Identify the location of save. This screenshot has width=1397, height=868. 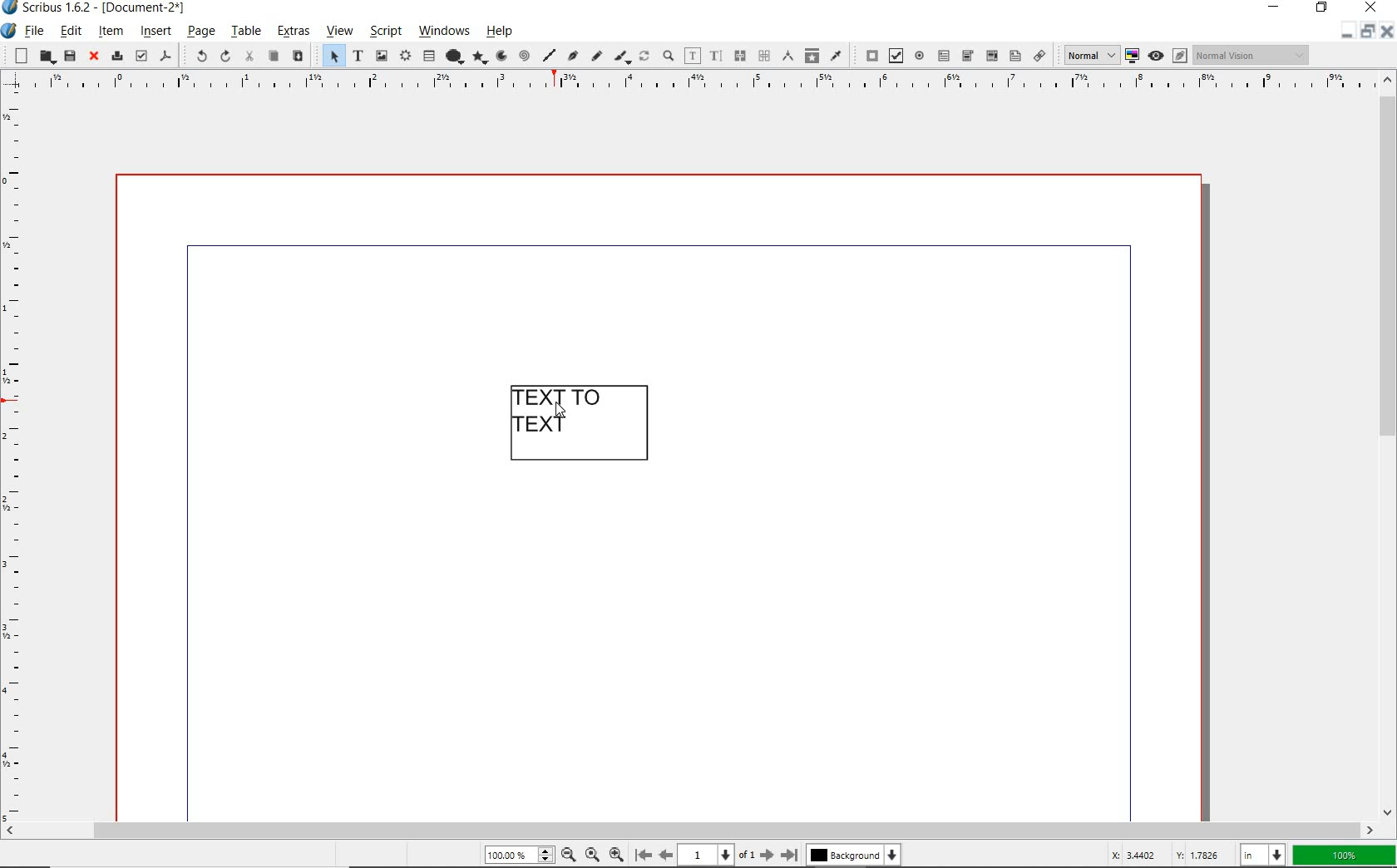
(69, 57).